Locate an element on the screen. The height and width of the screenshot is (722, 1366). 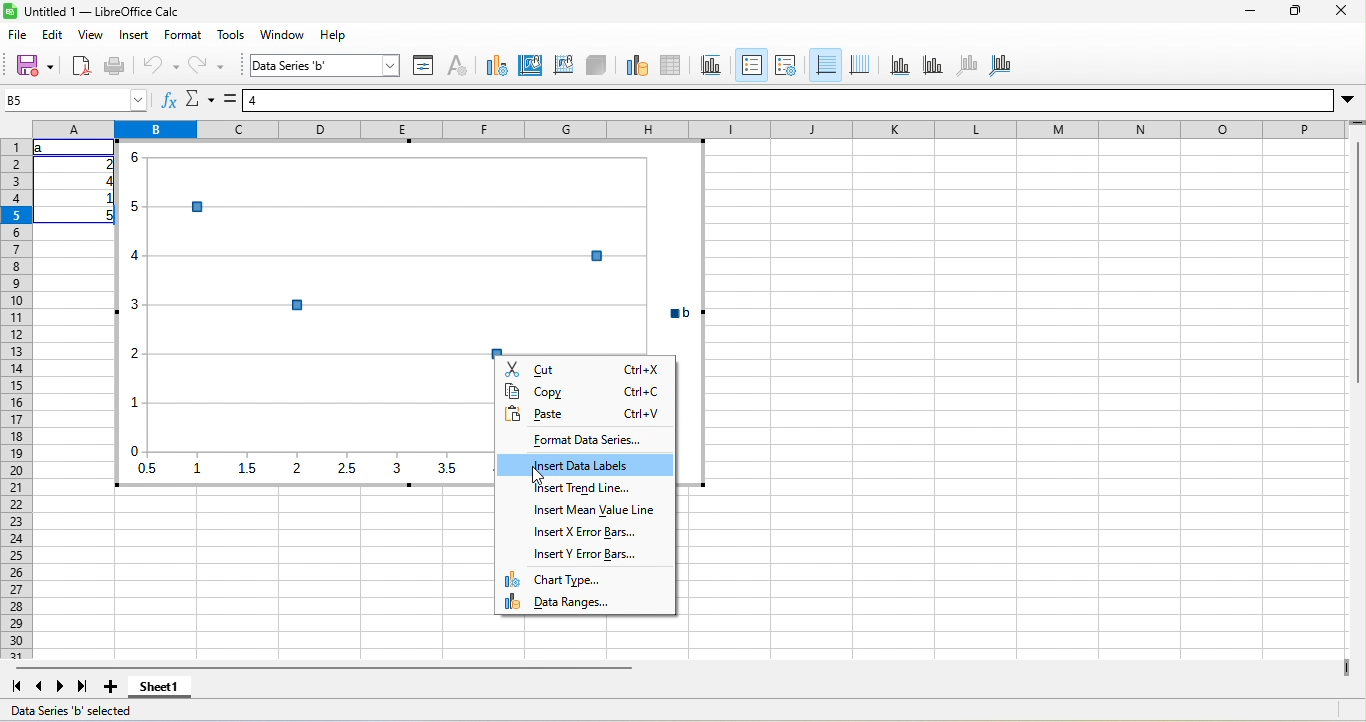
file is located at coordinates (18, 35).